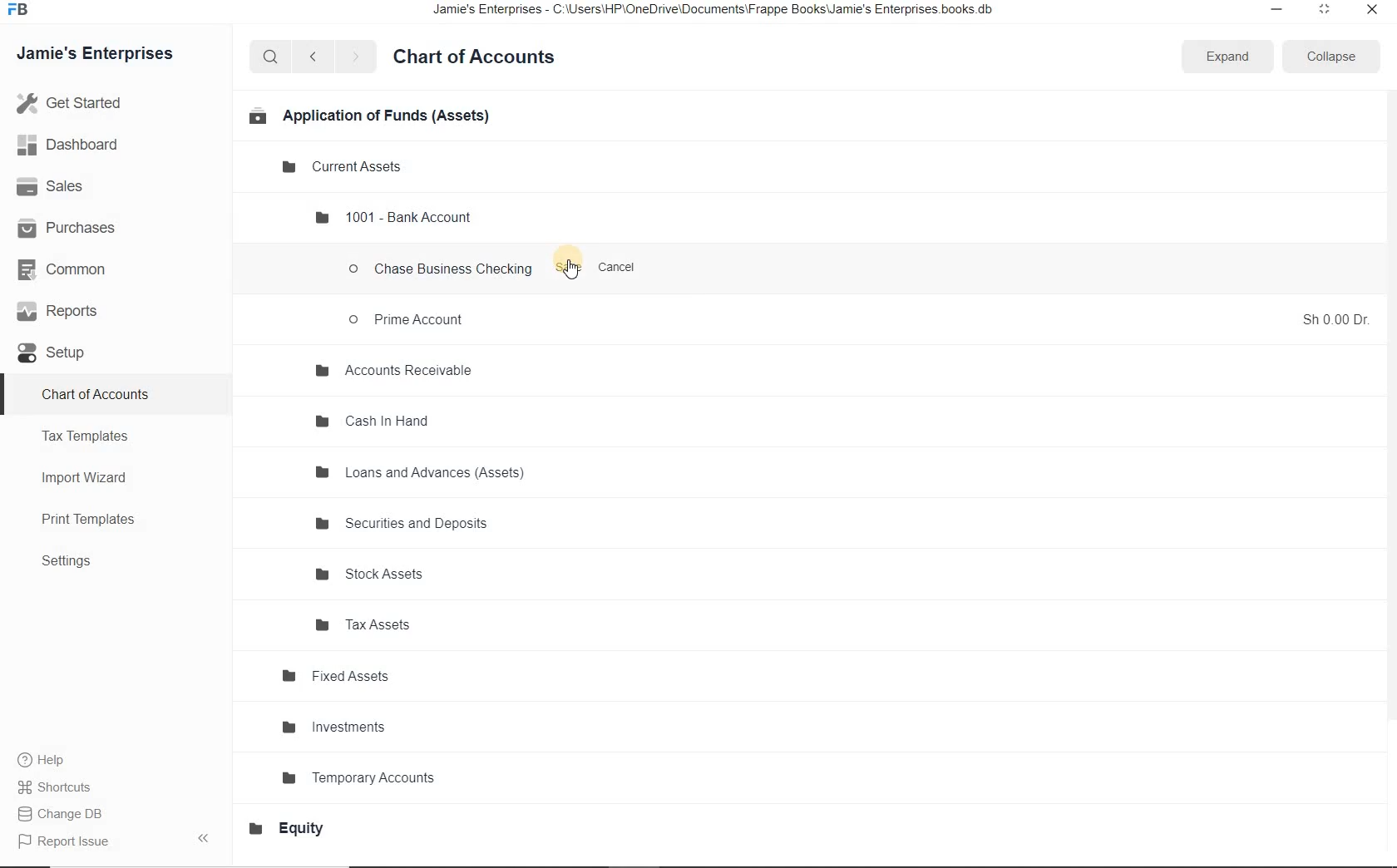 The width and height of the screenshot is (1397, 868). What do you see at coordinates (421, 473) in the screenshot?
I see `Loans and Advances (Assets)` at bounding box center [421, 473].